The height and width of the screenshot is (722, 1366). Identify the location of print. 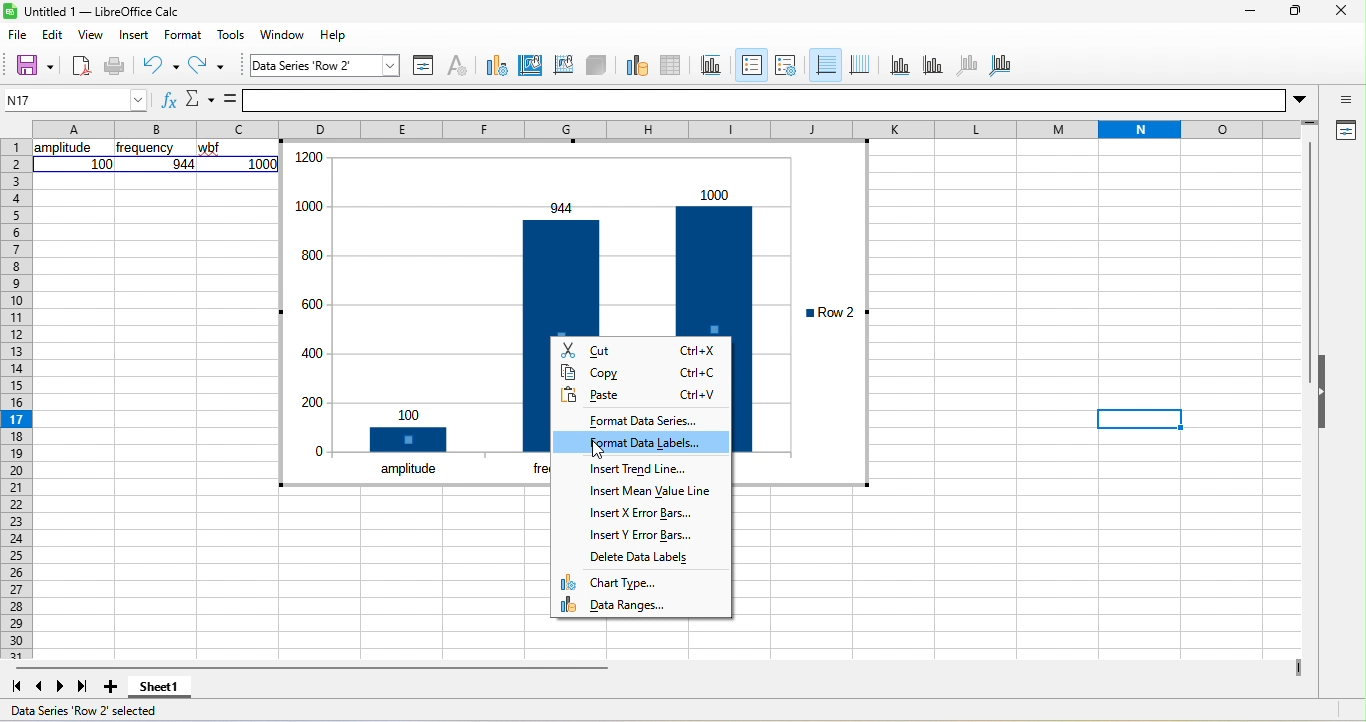
(115, 66).